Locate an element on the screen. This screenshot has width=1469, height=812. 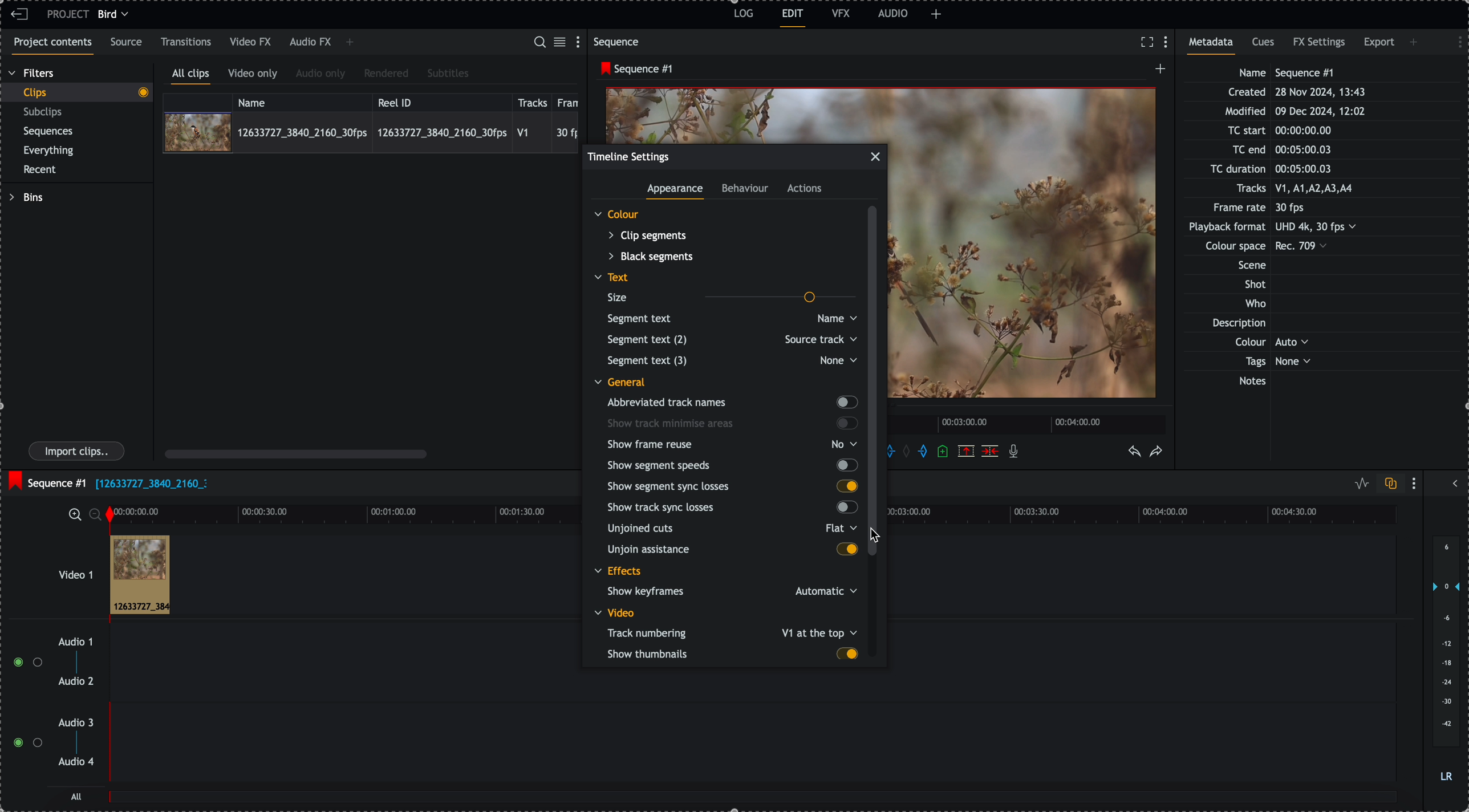
add a cue at the current position is located at coordinates (944, 452).